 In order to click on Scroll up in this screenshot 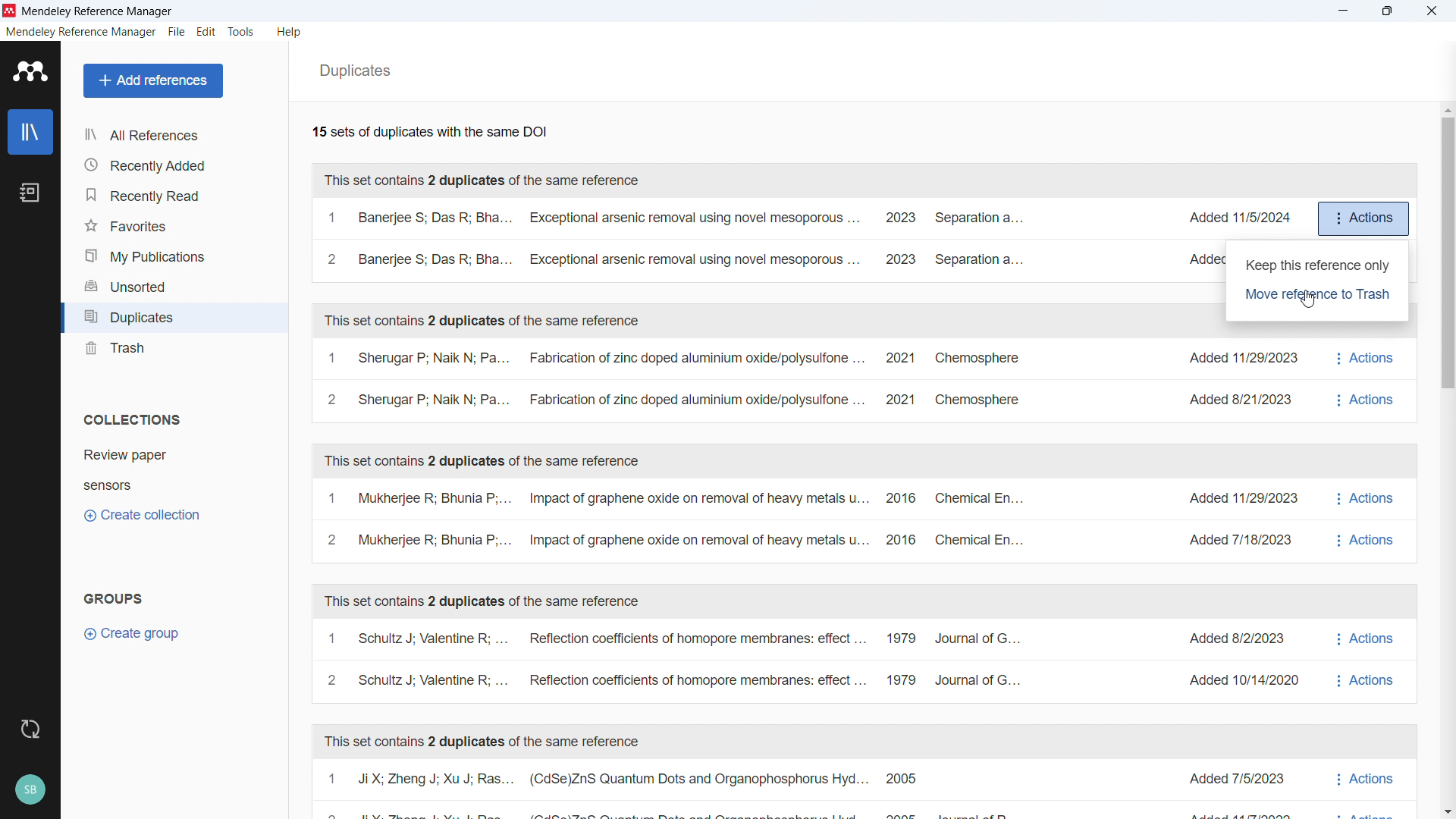, I will do `click(1447, 108)`.